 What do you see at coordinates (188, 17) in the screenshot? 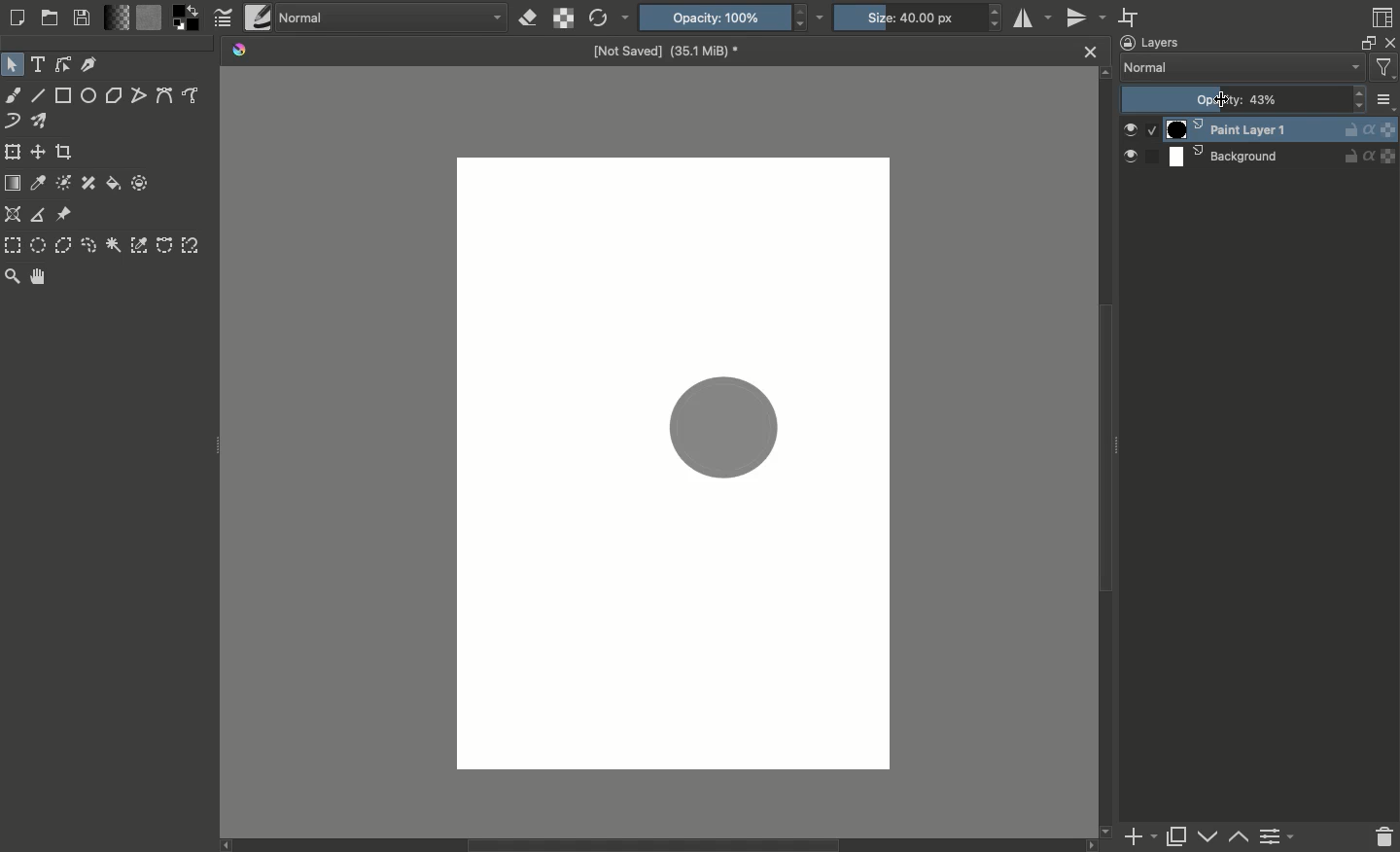
I see `Foreground color` at bounding box center [188, 17].